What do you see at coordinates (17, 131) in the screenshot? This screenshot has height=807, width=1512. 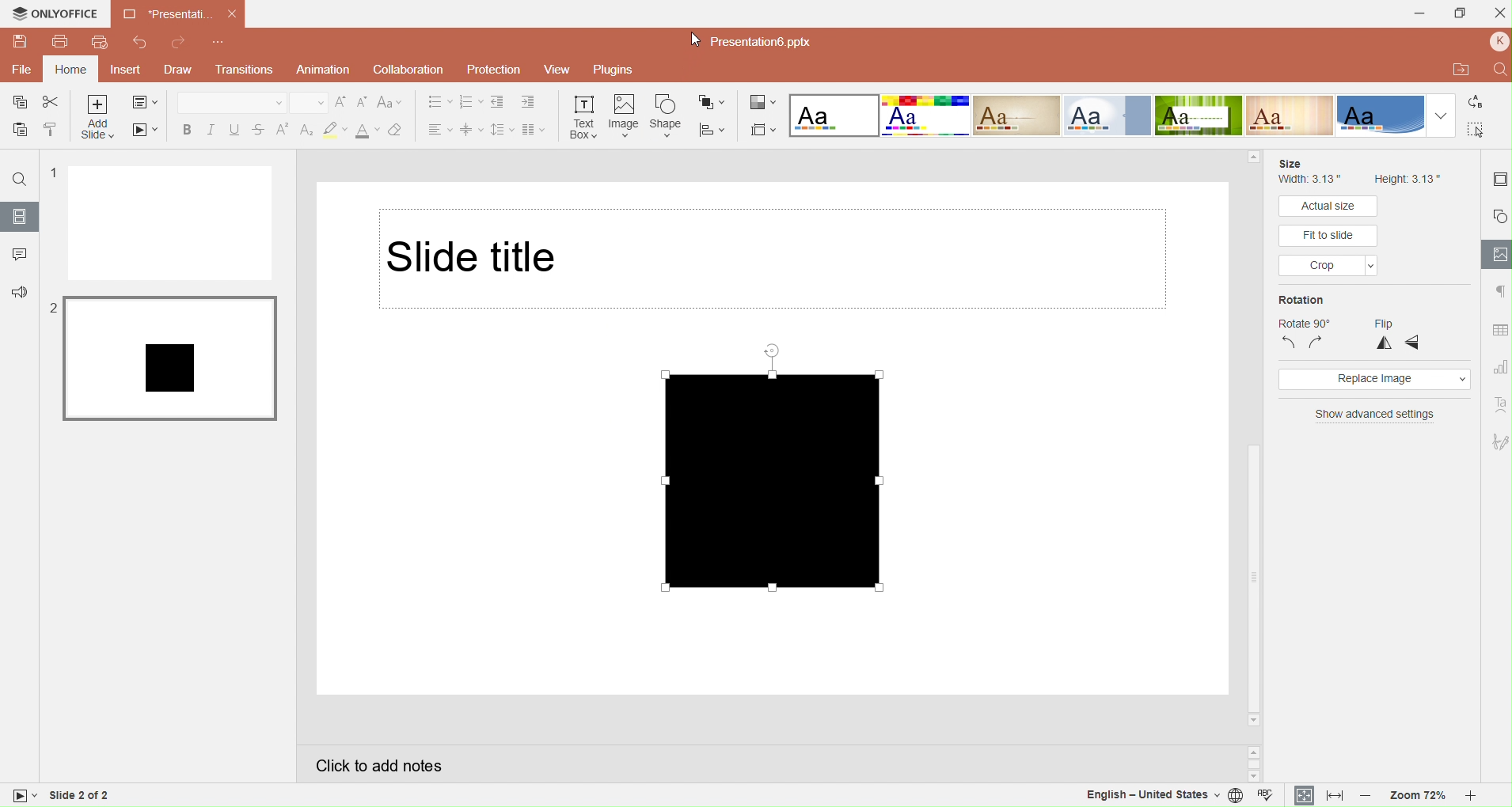 I see `Paste` at bounding box center [17, 131].